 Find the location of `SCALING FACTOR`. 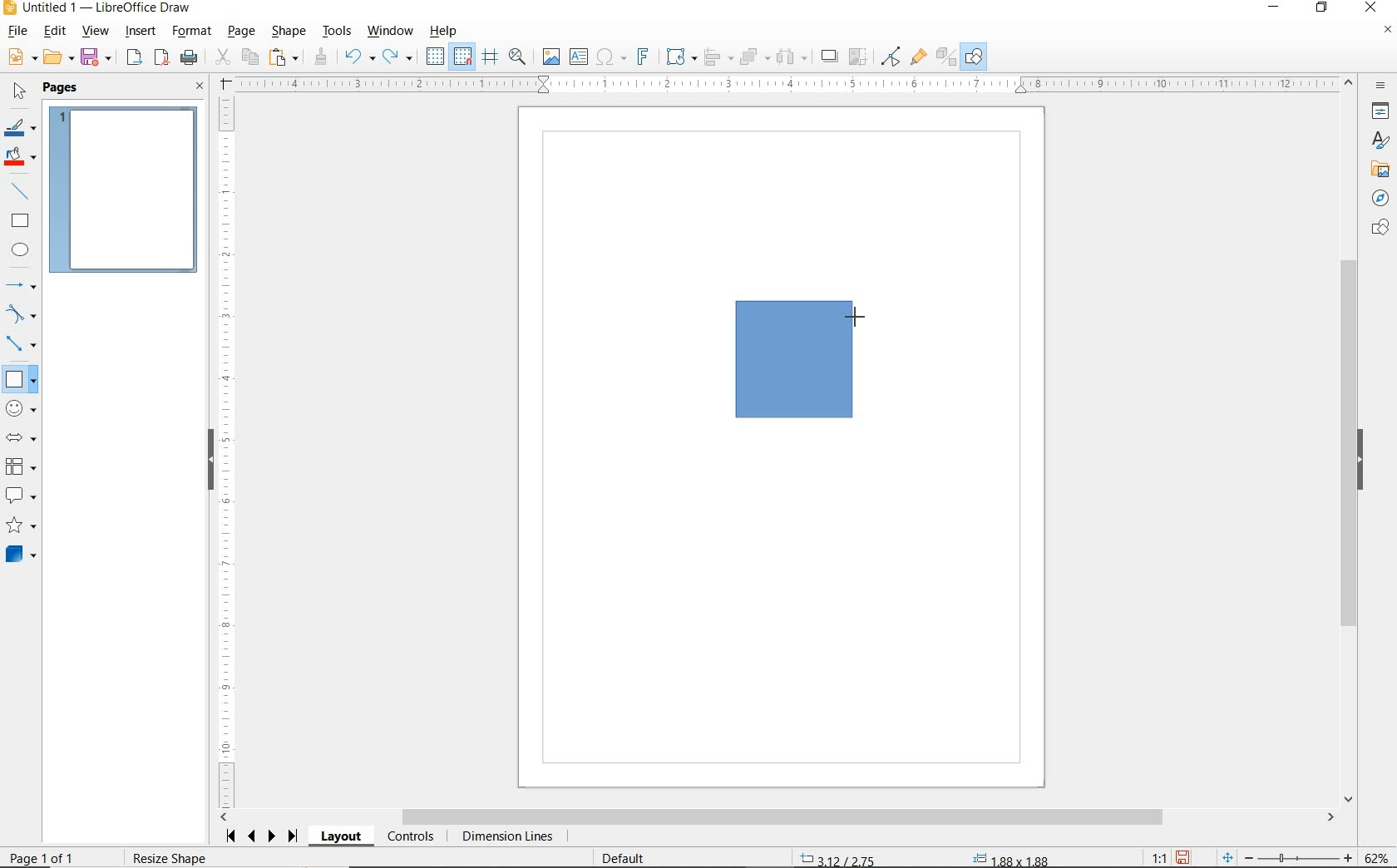

SCALING FACTOR is located at coordinates (1153, 854).